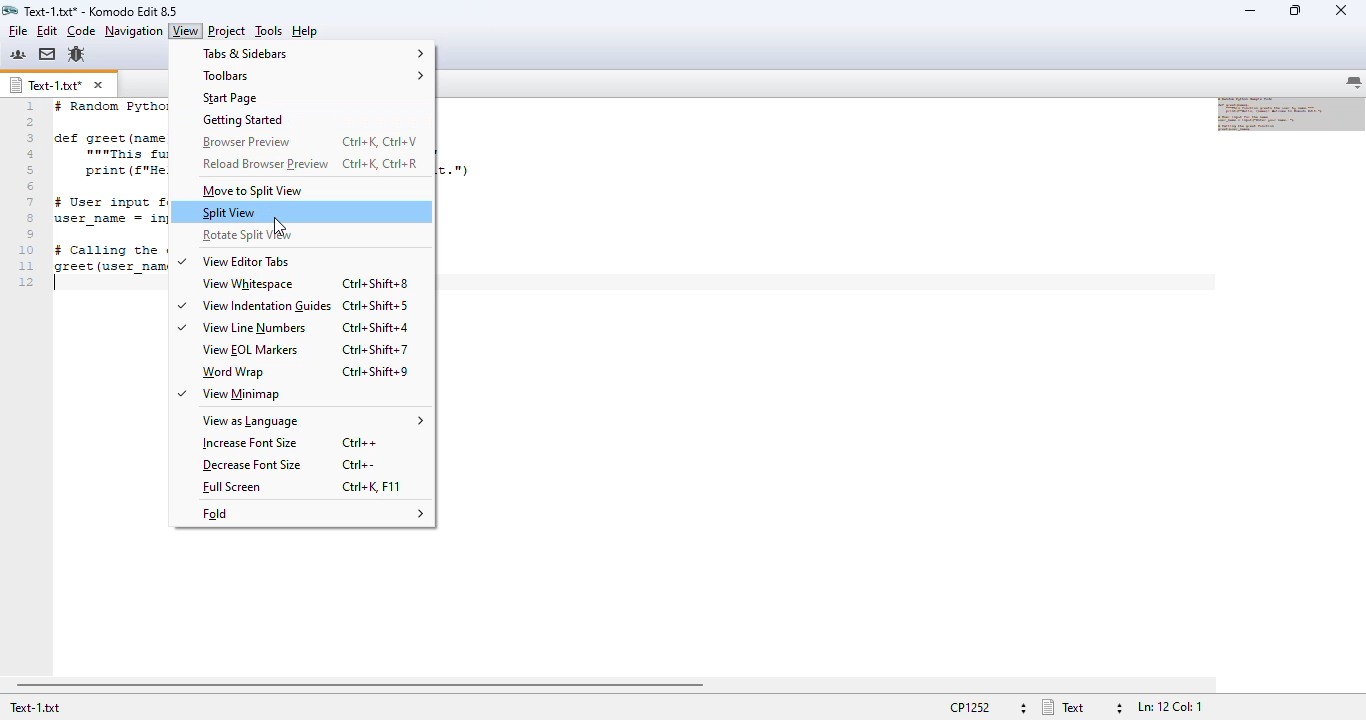  Describe the element at coordinates (232, 372) in the screenshot. I see `word wrap` at that location.